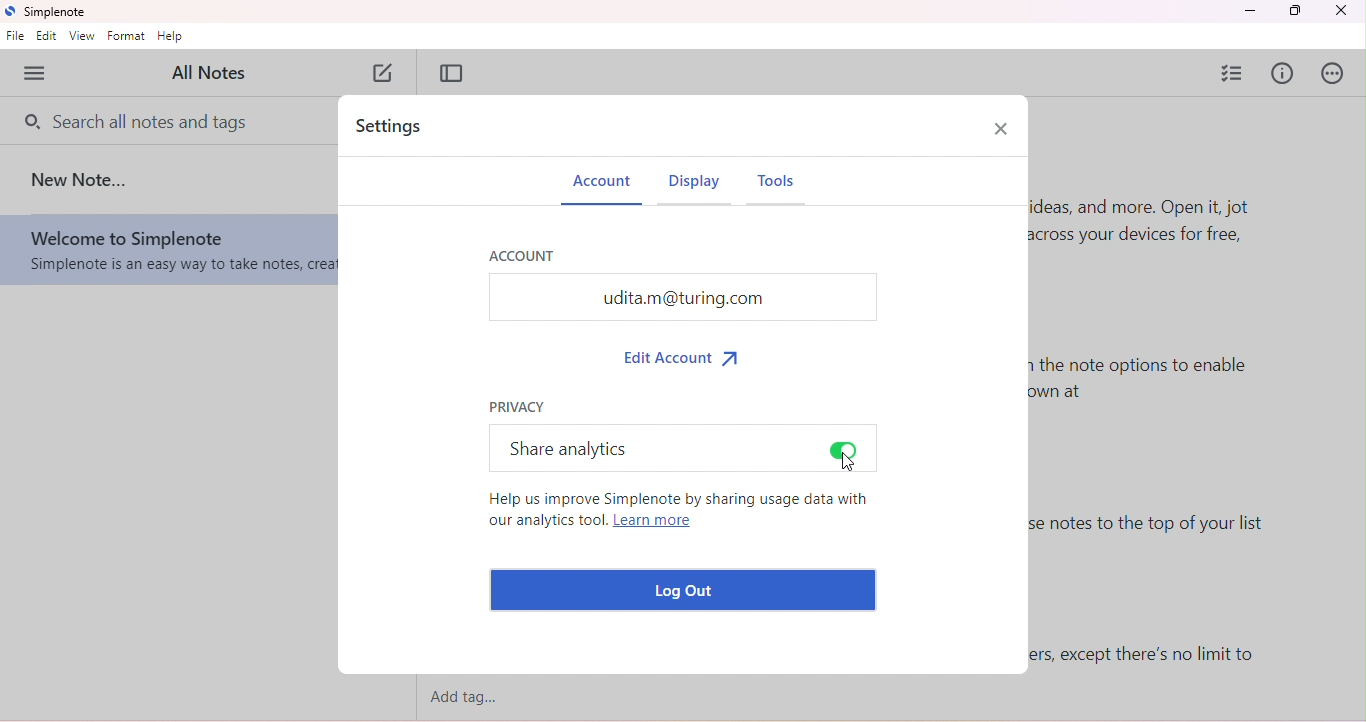 This screenshot has width=1366, height=722. Describe the element at coordinates (1234, 72) in the screenshot. I see `insert checklist` at that location.